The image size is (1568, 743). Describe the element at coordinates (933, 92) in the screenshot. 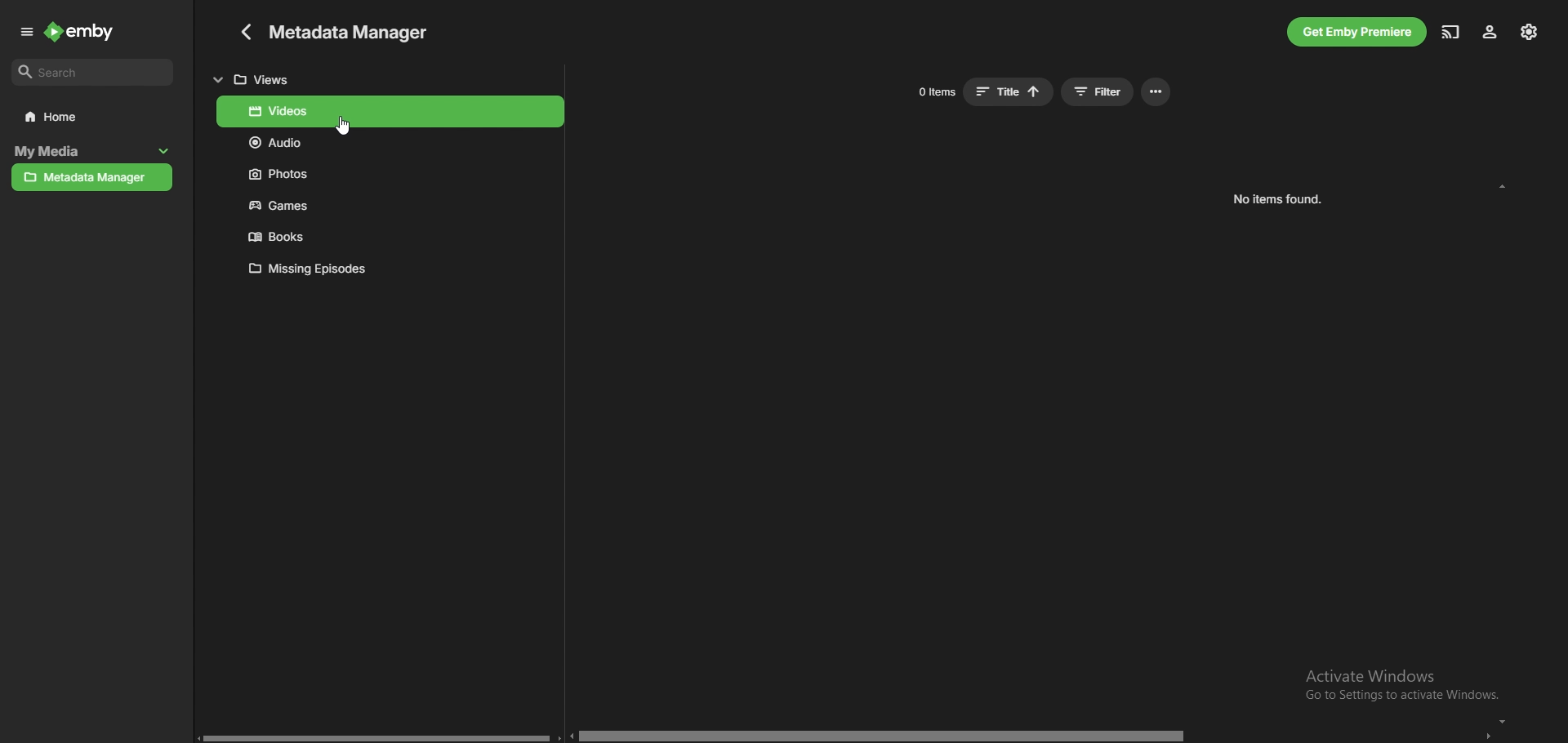

I see `items` at that location.